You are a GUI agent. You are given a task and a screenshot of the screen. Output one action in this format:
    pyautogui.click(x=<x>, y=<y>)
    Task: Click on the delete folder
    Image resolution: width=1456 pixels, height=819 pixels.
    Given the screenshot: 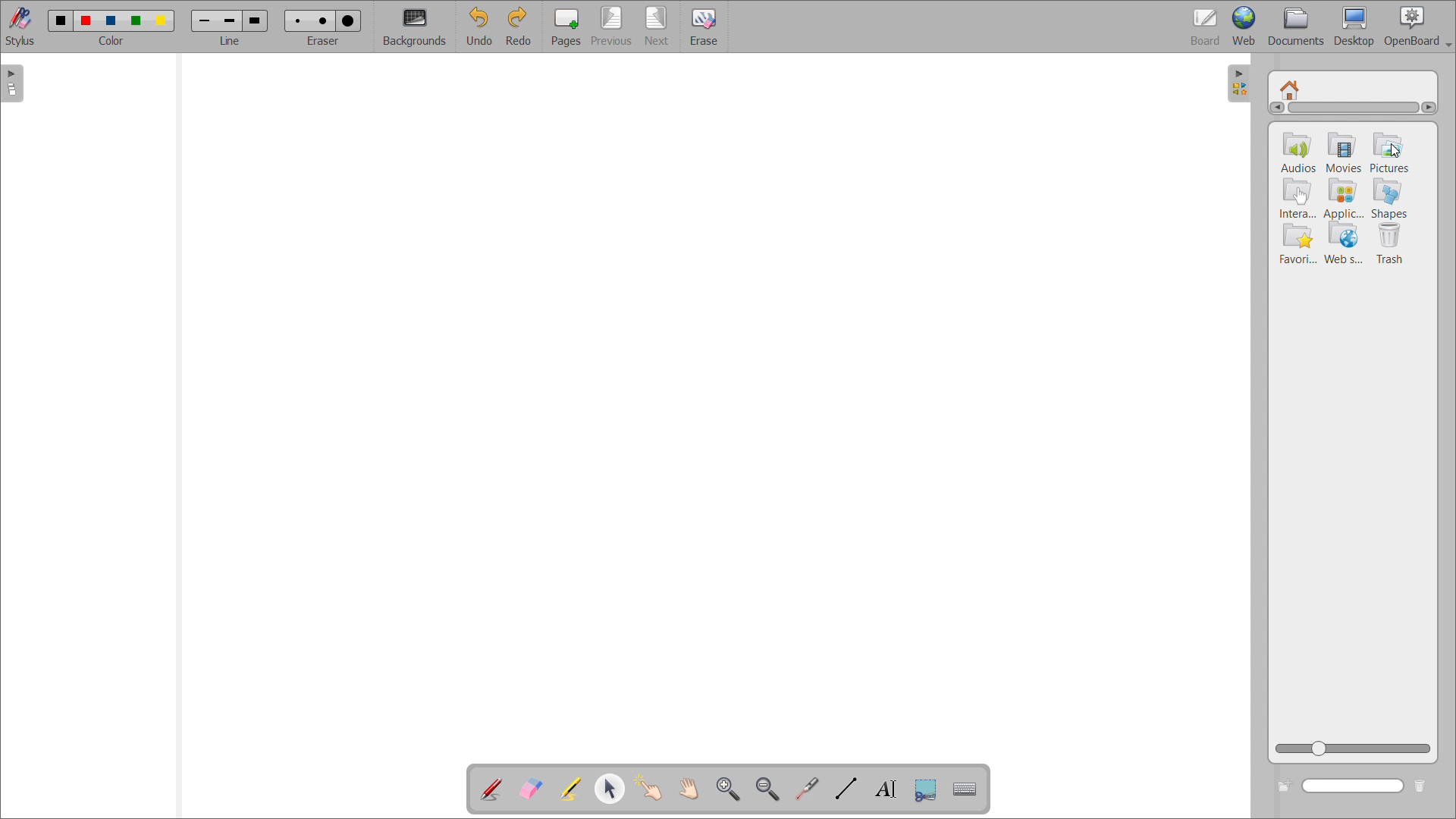 What is the action you would take?
    pyautogui.click(x=1422, y=787)
    